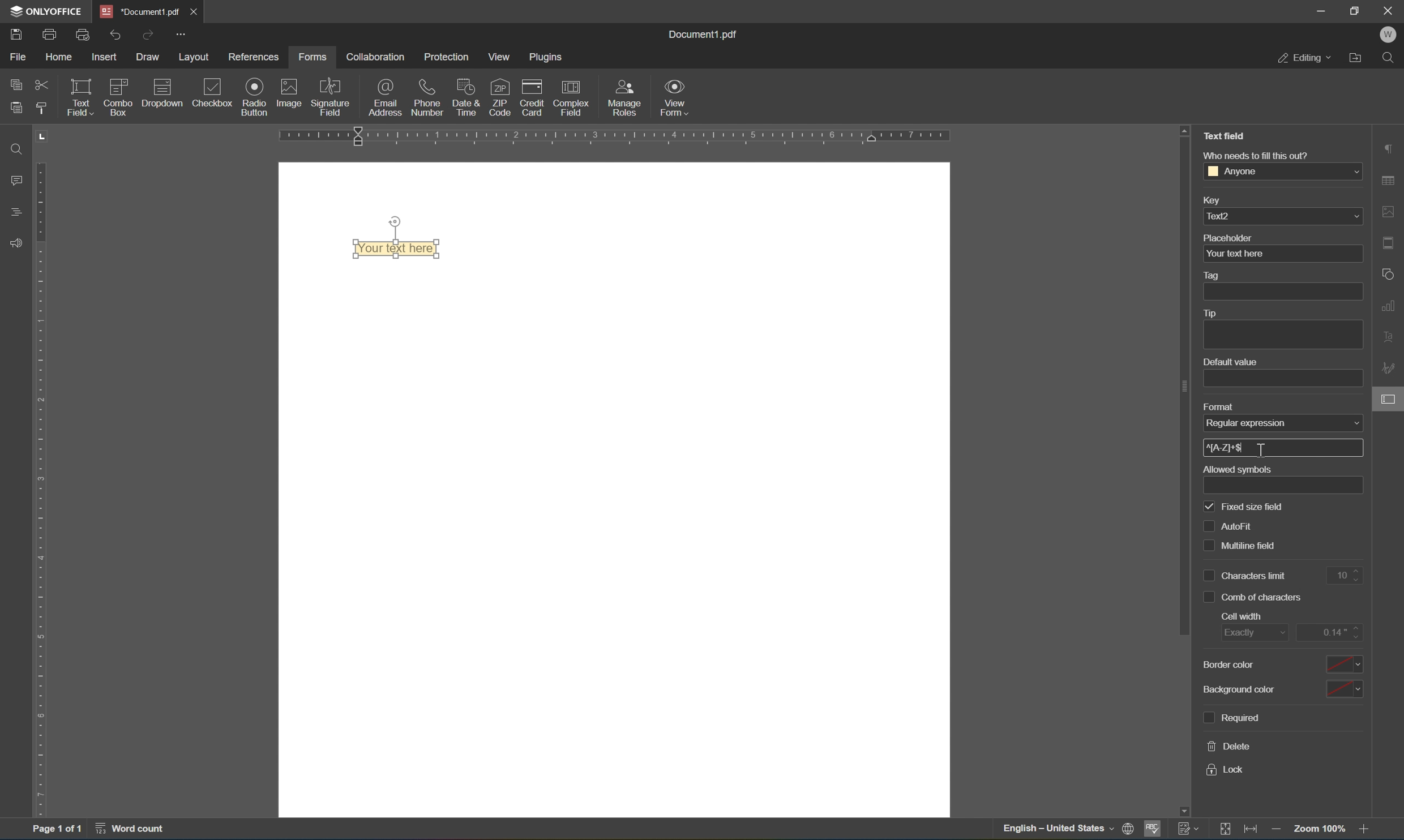  What do you see at coordinates (1242, 576) in the screenshot?
I see `characters limit` at bounding box center [1242, 576].